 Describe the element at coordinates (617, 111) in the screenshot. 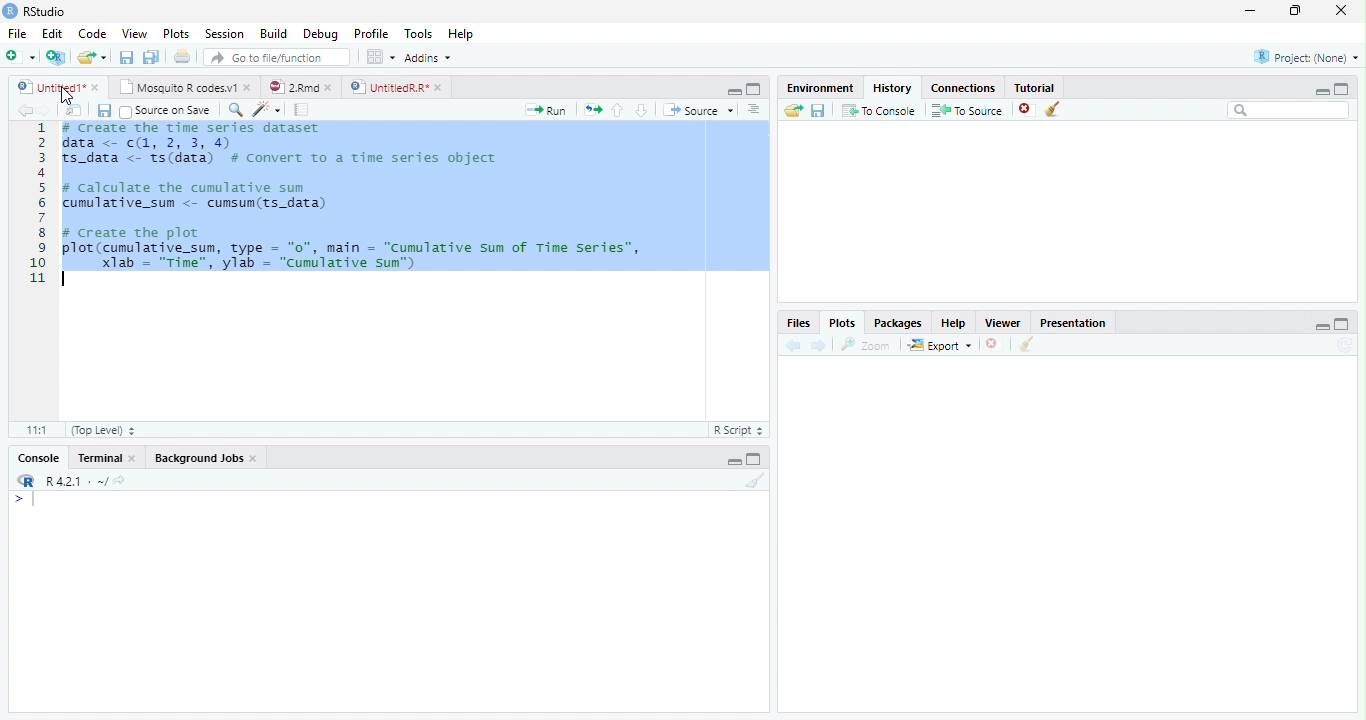

I see `Go to the previous section` at that location.